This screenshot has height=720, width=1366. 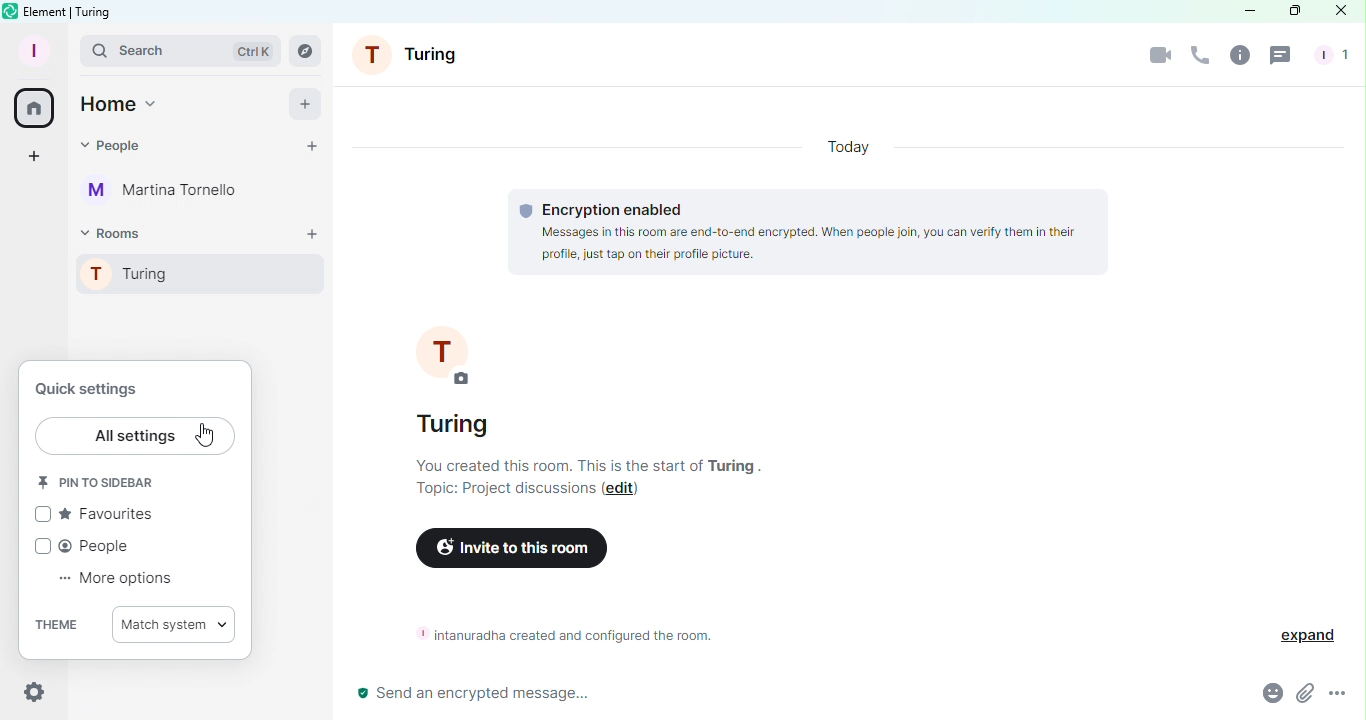 I want to click on Edit, so click(x=624, y=492).